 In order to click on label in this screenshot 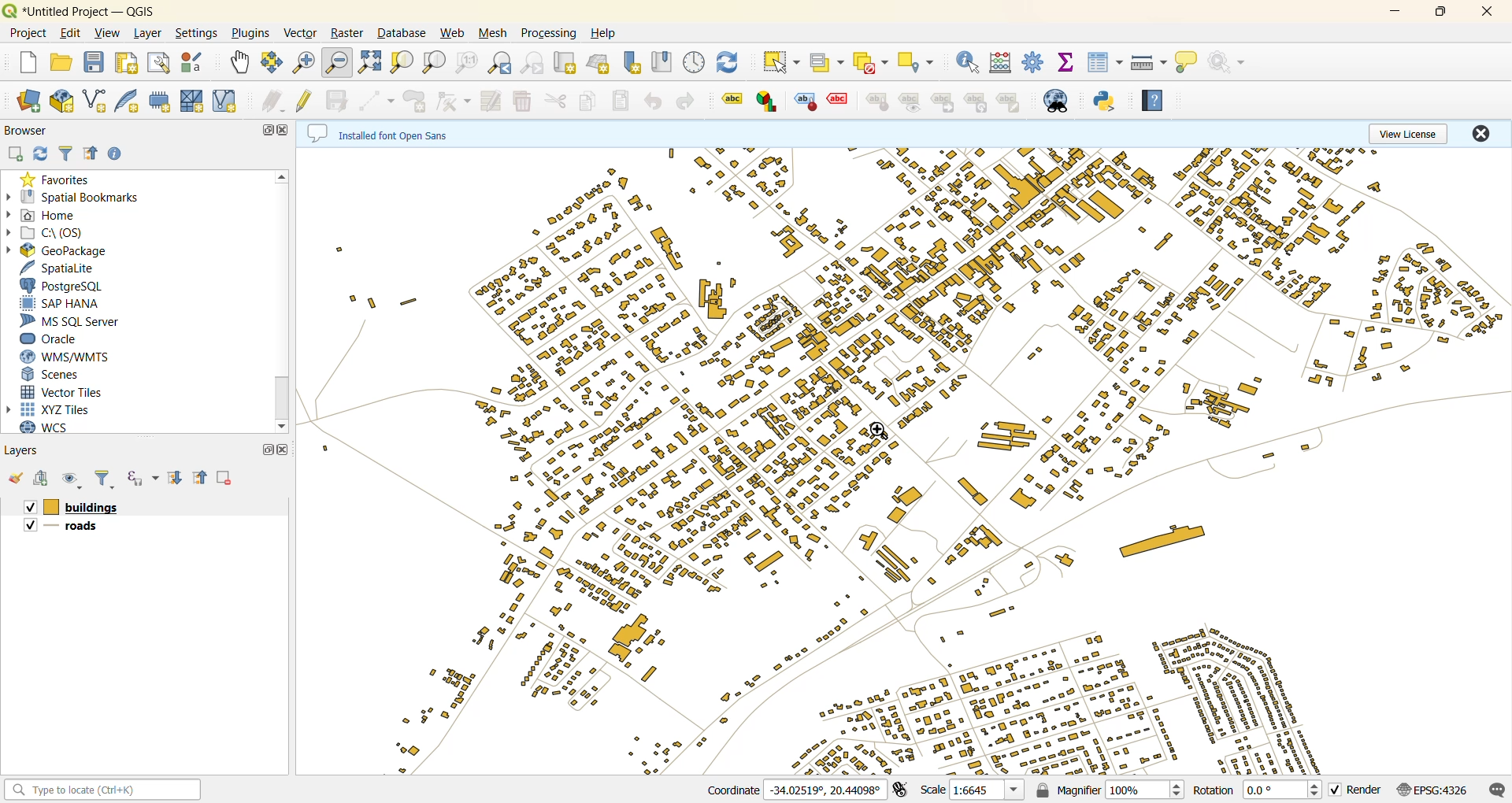, I will do `click(1009, 102)`.